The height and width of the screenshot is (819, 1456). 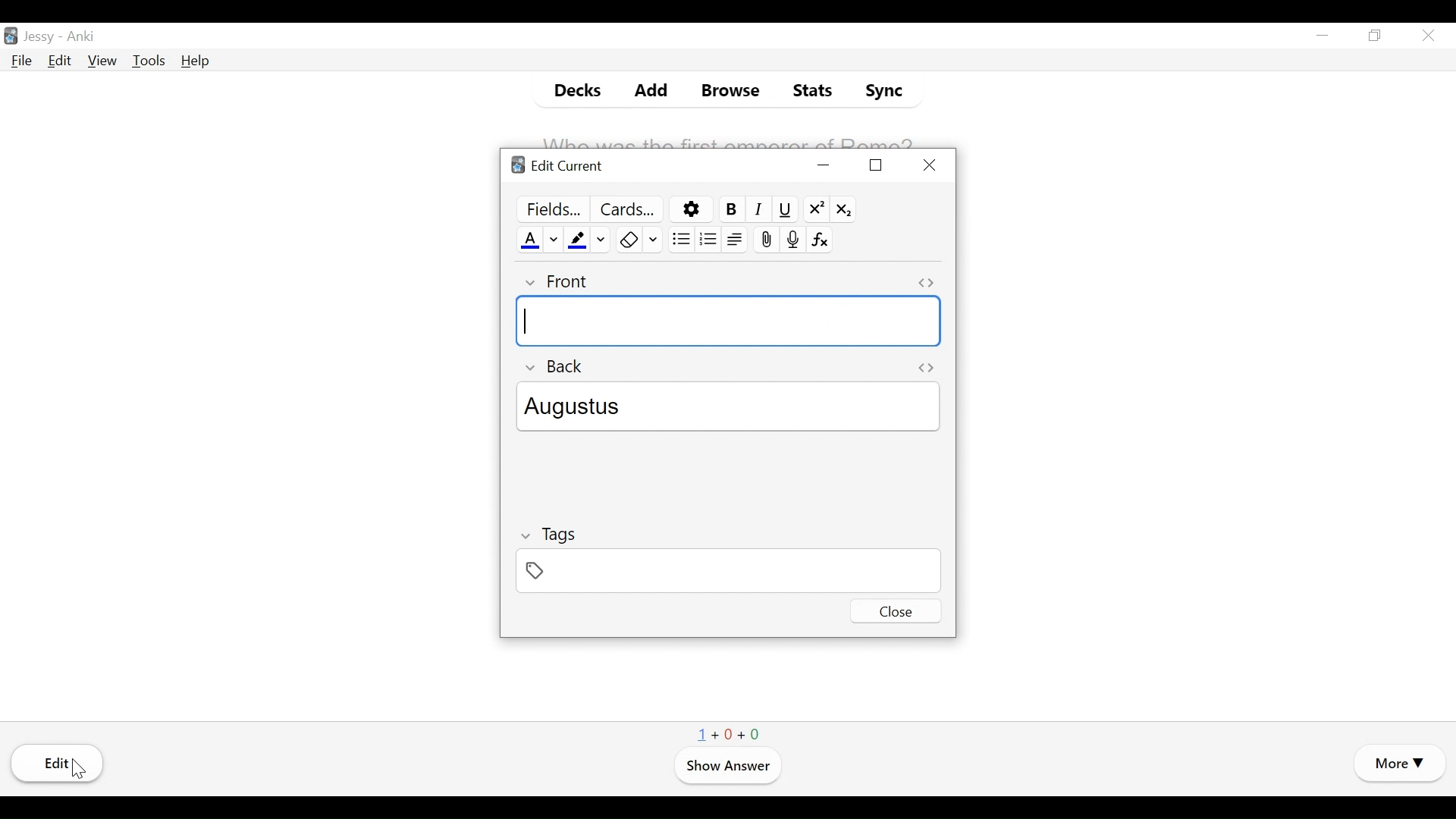 What do you see at coordinates (679, 238) in the screenshot?
I see `Unordered list` at bounding box center [679, 238].